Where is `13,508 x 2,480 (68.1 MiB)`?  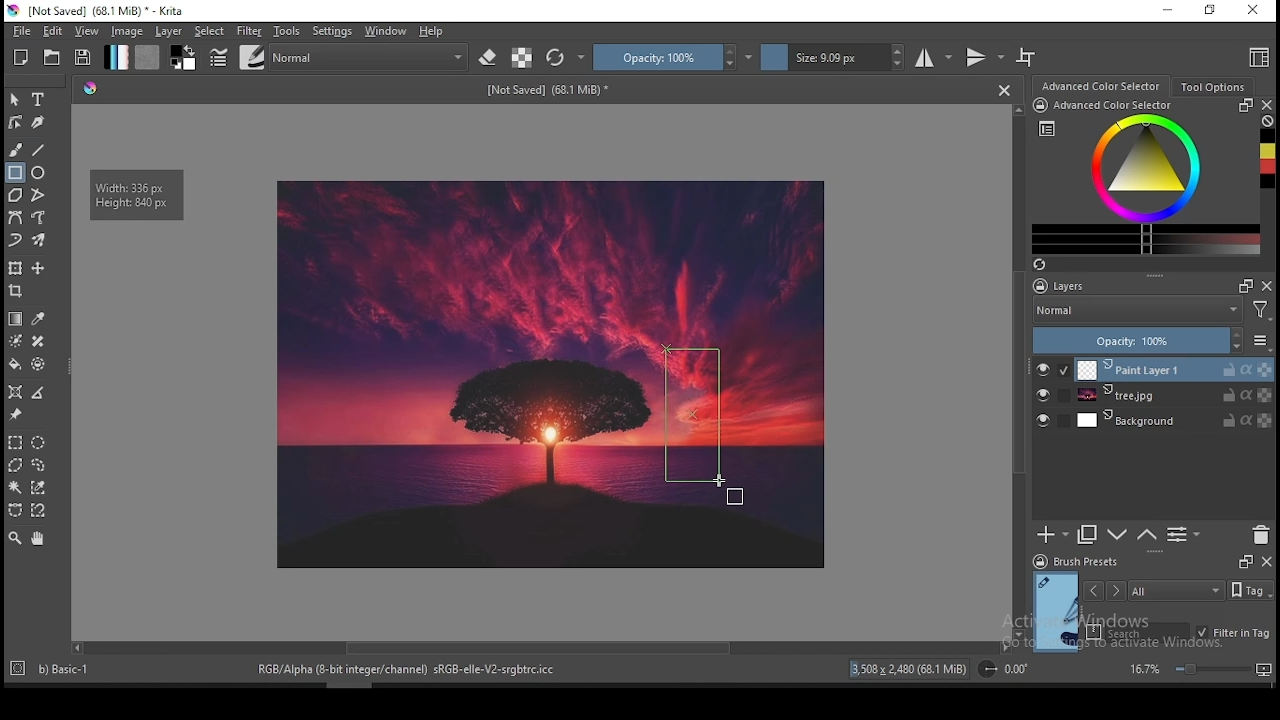 13,508 x 2,480 (68.1 MiB) is located at coordinates (909, 668).